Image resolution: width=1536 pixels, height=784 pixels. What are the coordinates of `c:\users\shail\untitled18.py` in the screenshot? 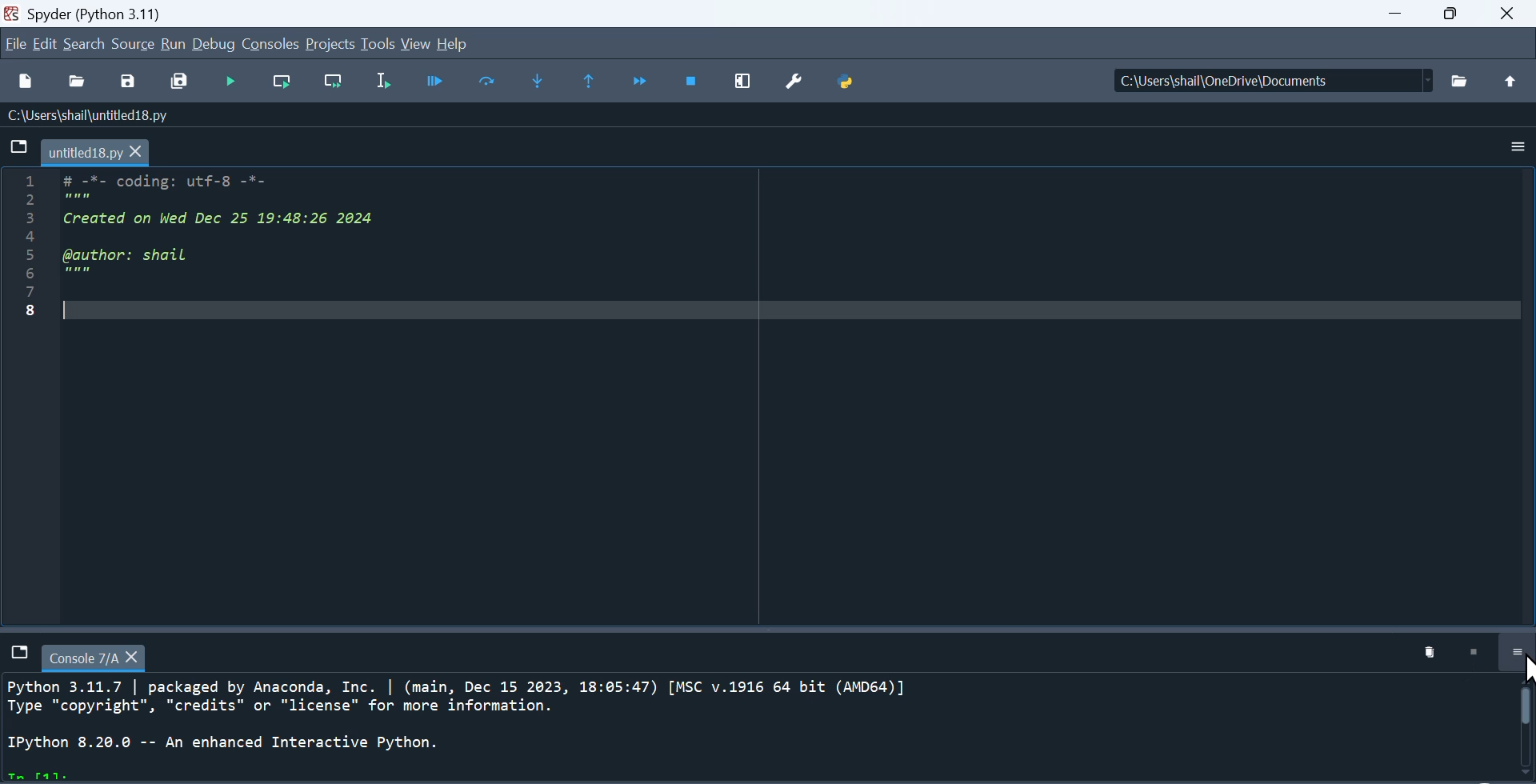 It's located at (98, 116).